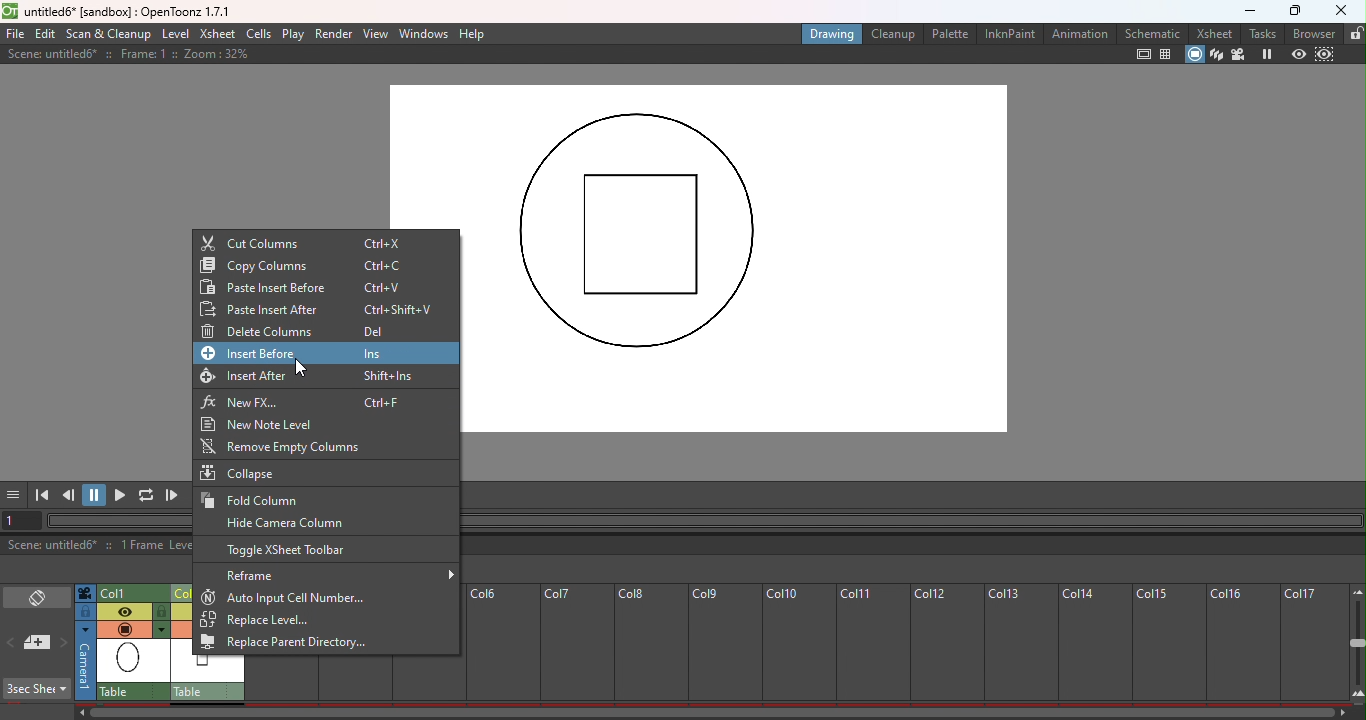  What do you see at coordinates (288, 645) in the screenshot?
I see `Replace parent directory` at bounding box center [288, 645].